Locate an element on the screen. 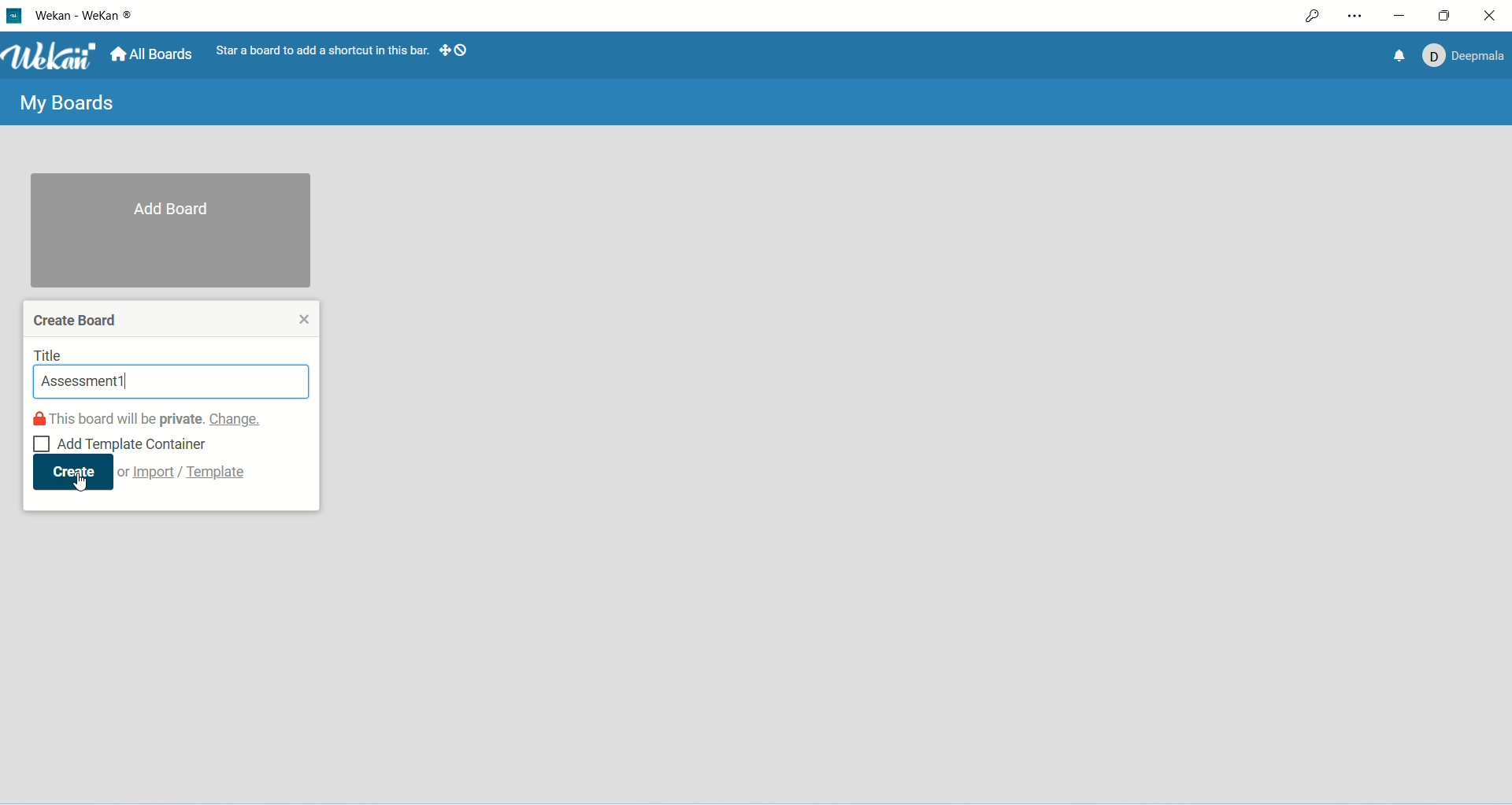 The height and width of the screenshot is (805, 1512). this board will be private is located at coordinates (117, 418).